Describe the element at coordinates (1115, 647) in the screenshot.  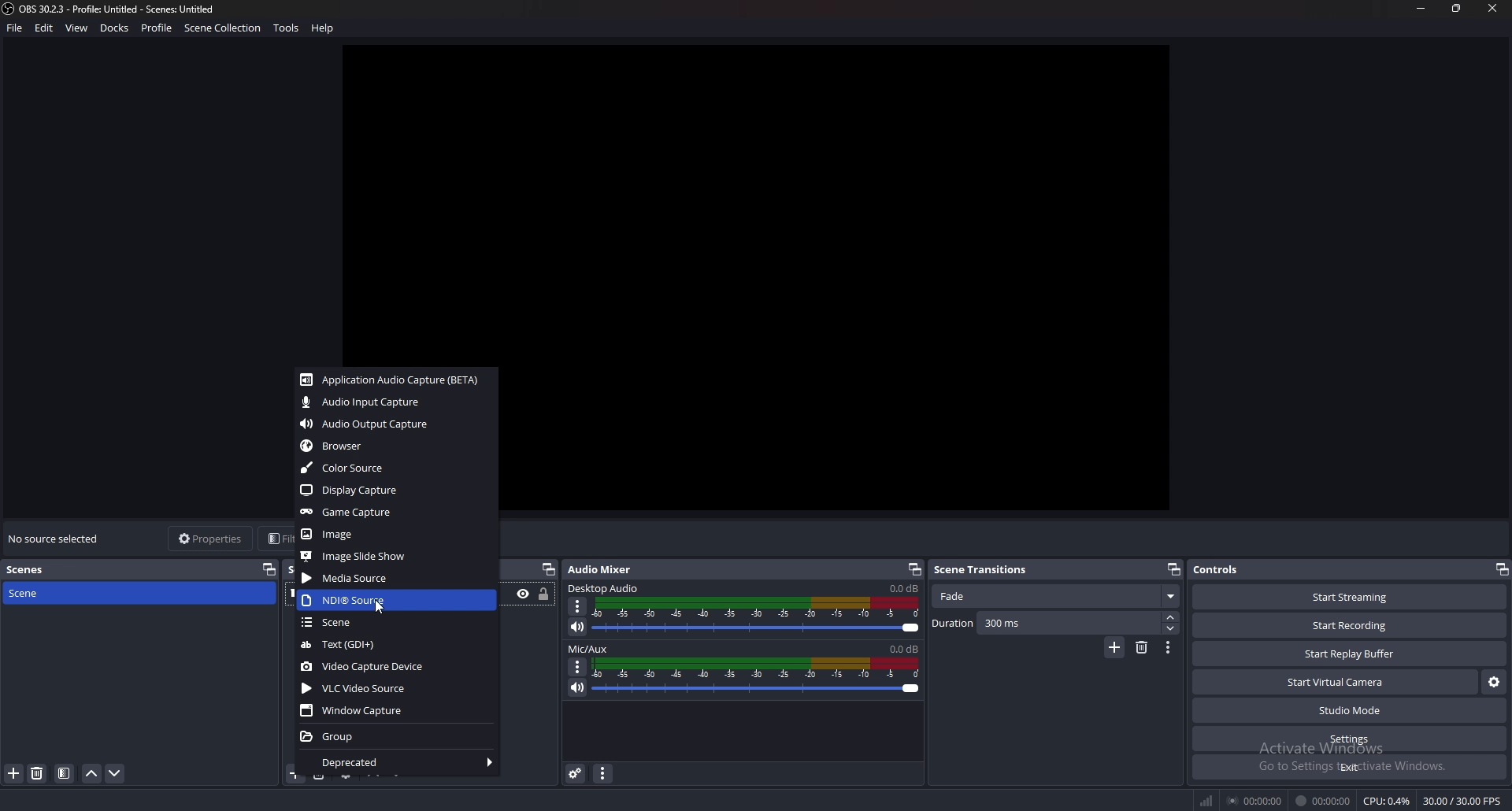
I see `add transition` at that location.